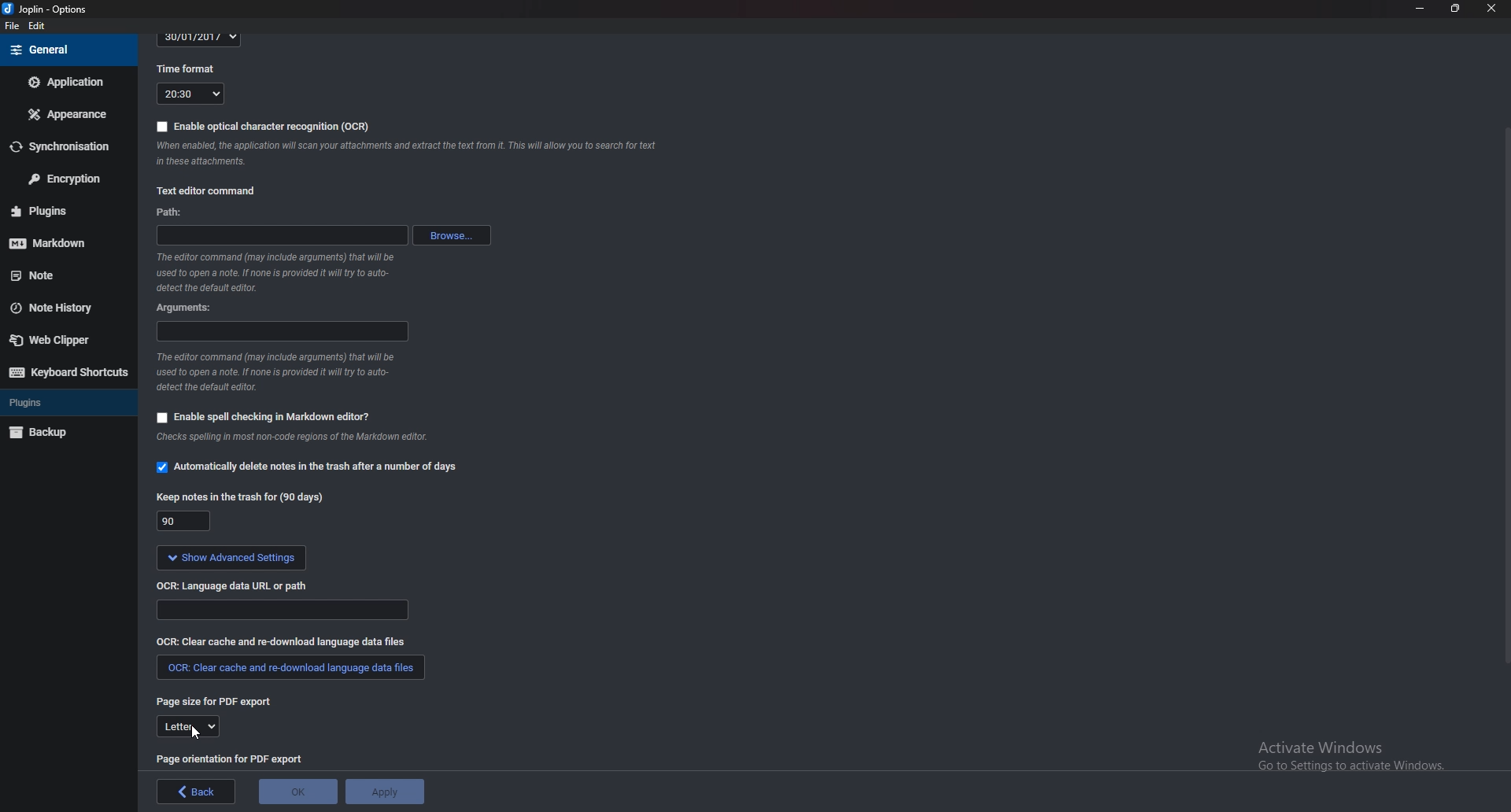 The image size is (1511, 812). Describe the element at coordinates (244, 497) in the screenshot. I see `Keep notes in the trash for` at that location.